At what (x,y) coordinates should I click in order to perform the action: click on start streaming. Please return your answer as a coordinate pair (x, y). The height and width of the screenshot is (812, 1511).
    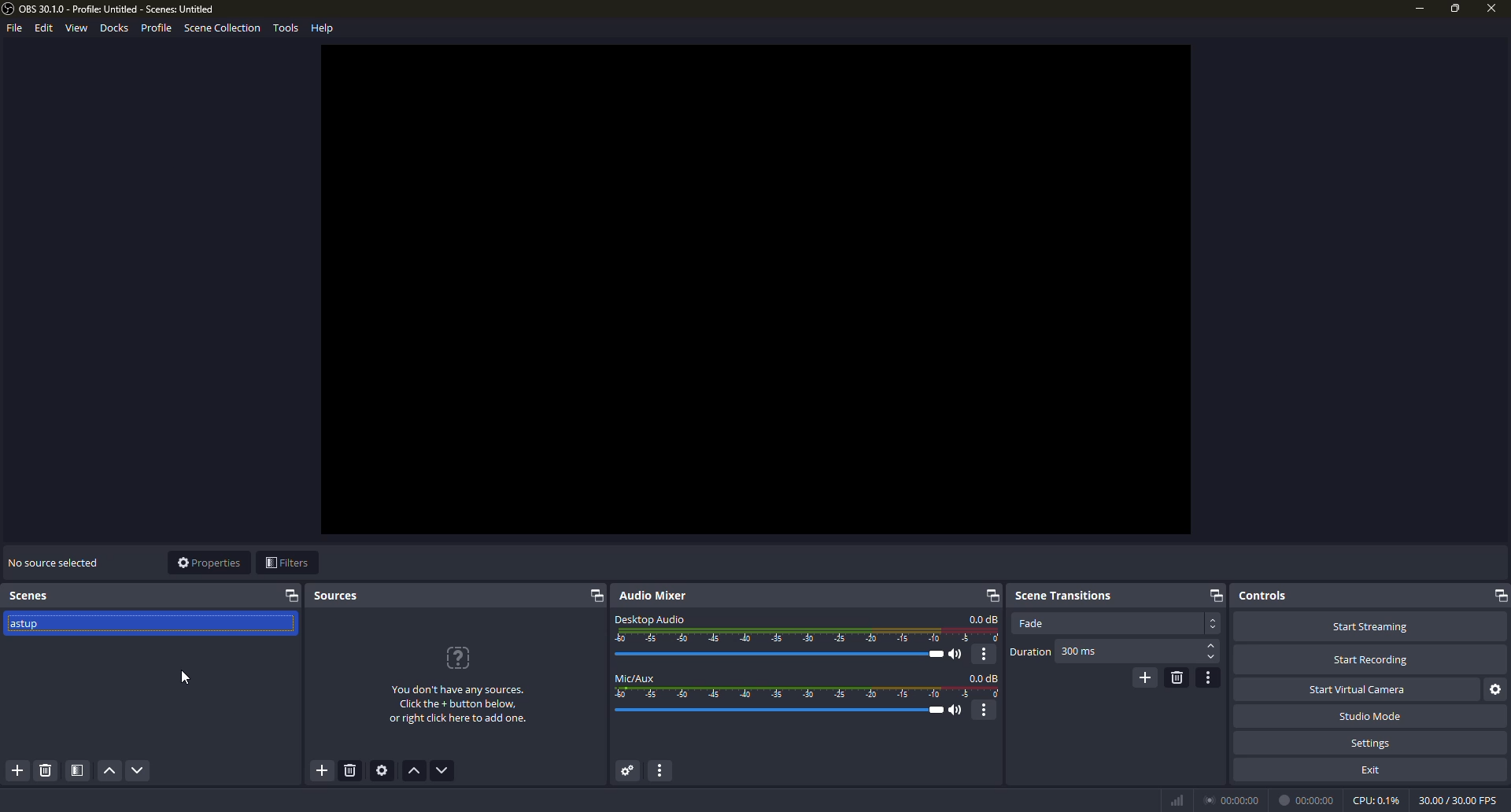
    Looking at the image, I should click on (1369, 626).